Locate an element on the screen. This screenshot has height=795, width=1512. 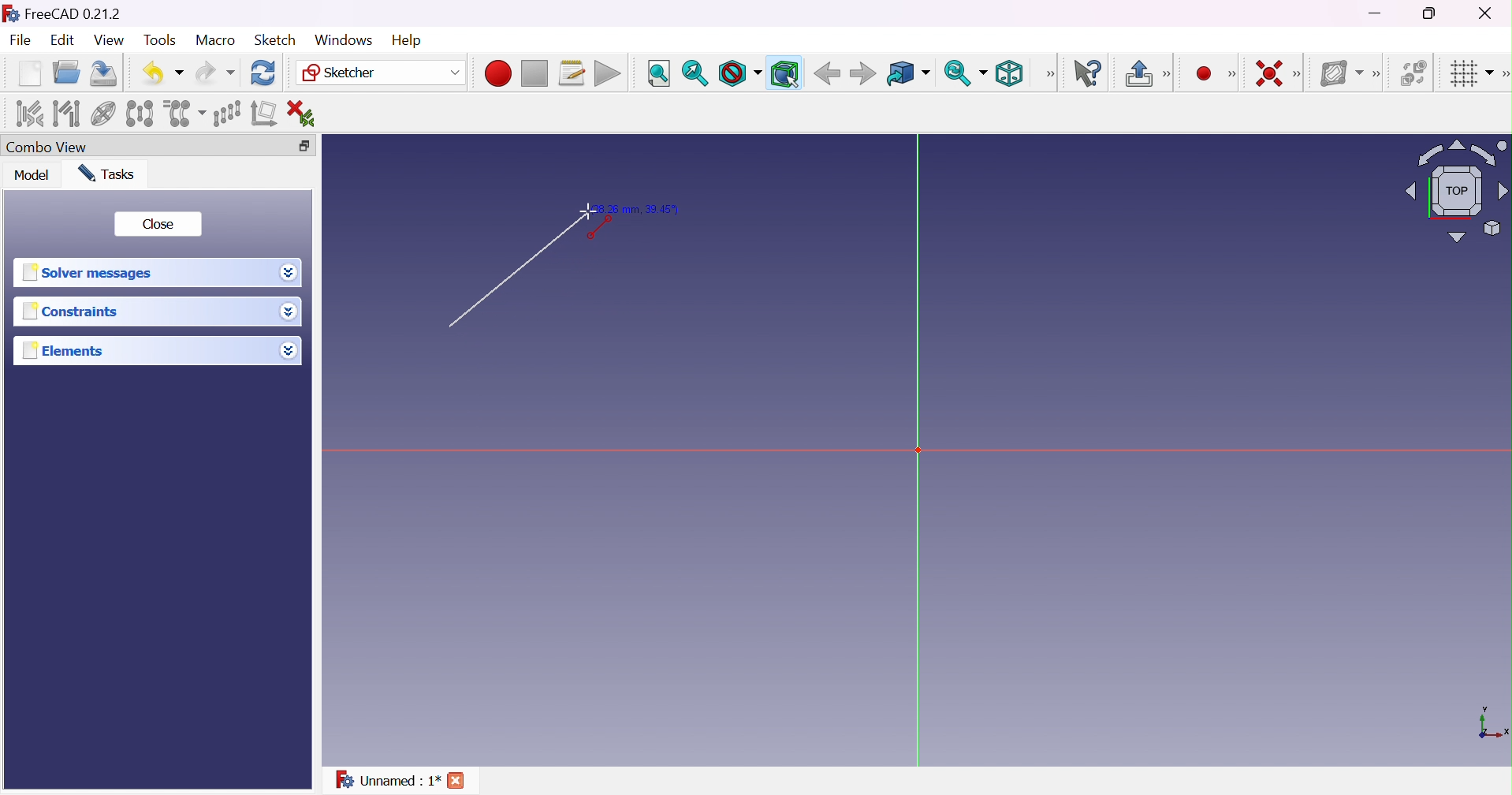
Select associated geometry is located at coordinates (66, 114).